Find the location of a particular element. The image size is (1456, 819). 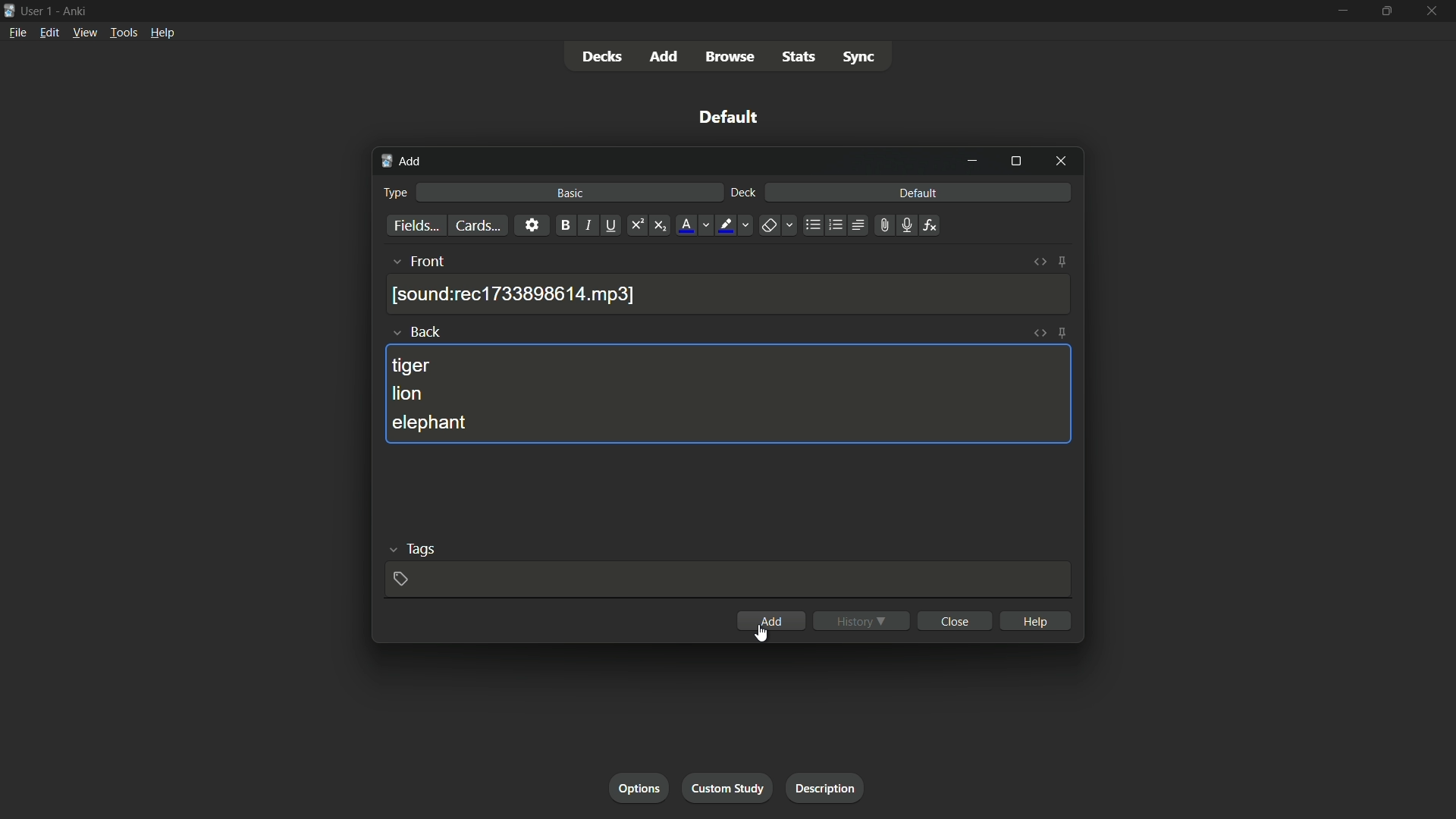

add tag is located at coordinates (401, 578).